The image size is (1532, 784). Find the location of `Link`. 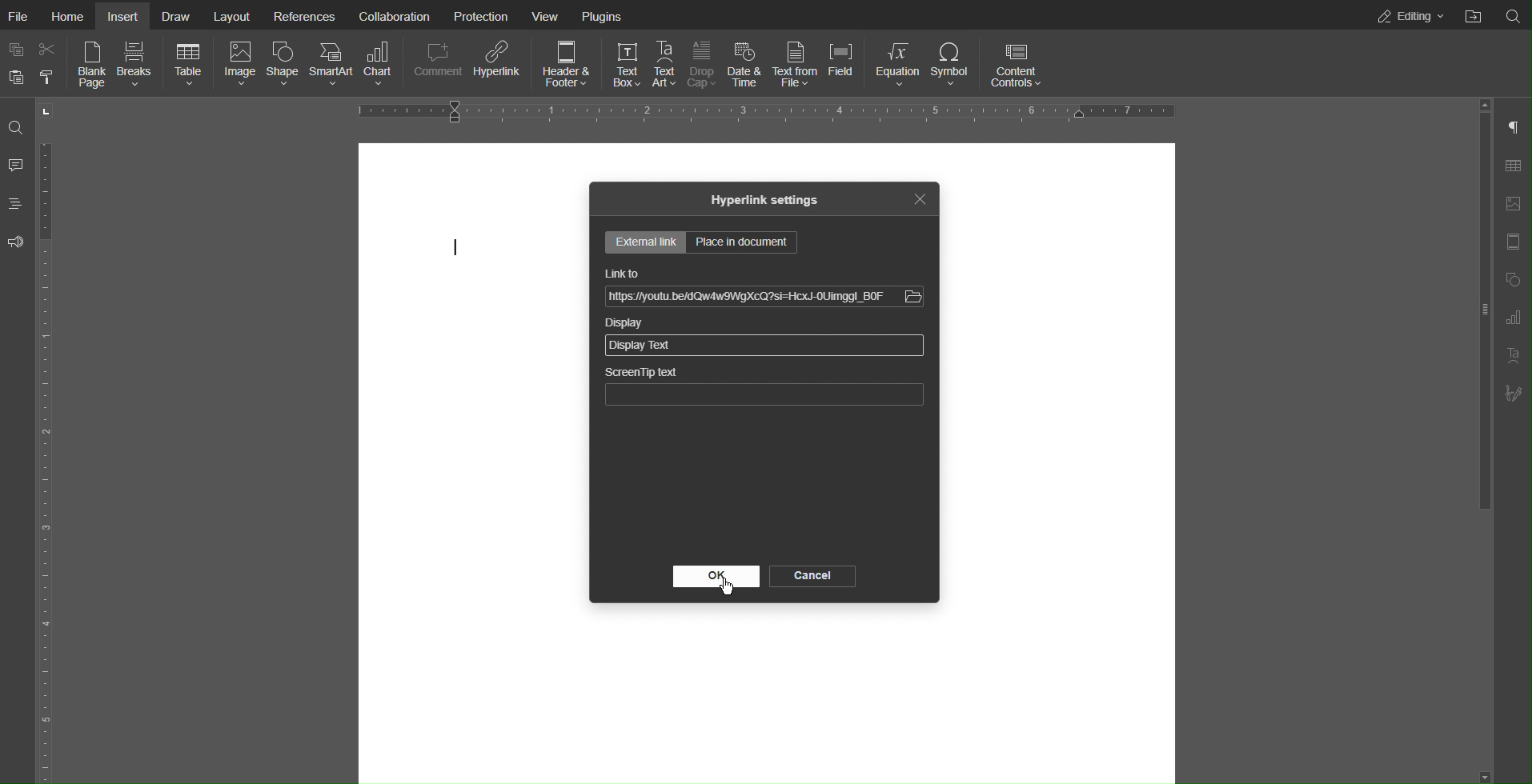

Link is located at coordinates (747, 298).